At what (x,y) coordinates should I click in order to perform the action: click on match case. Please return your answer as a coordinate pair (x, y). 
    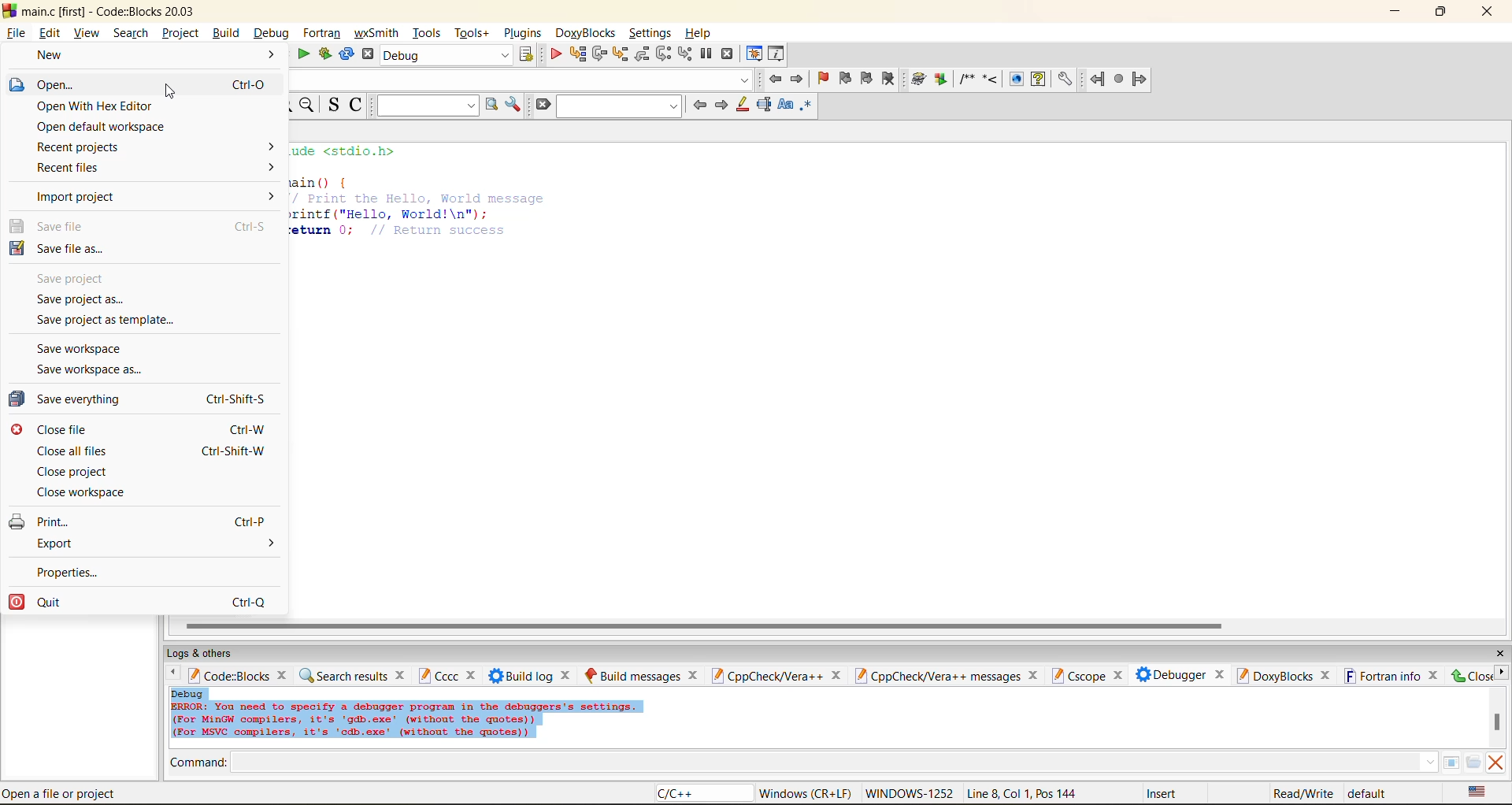
    Looking at the image, I should click on (784, 106).